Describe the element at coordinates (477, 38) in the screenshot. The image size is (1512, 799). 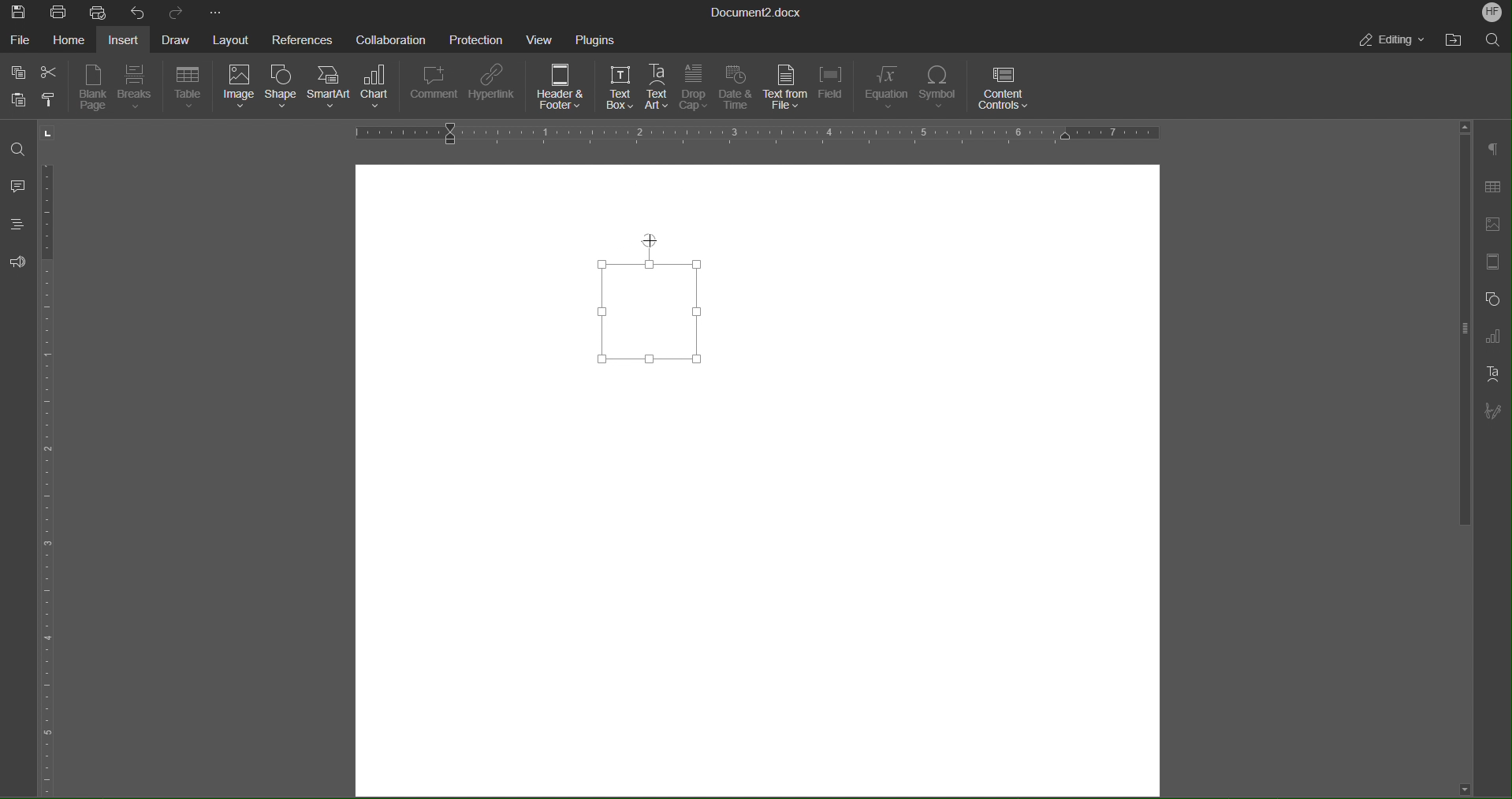
I see `Protection` at that location.